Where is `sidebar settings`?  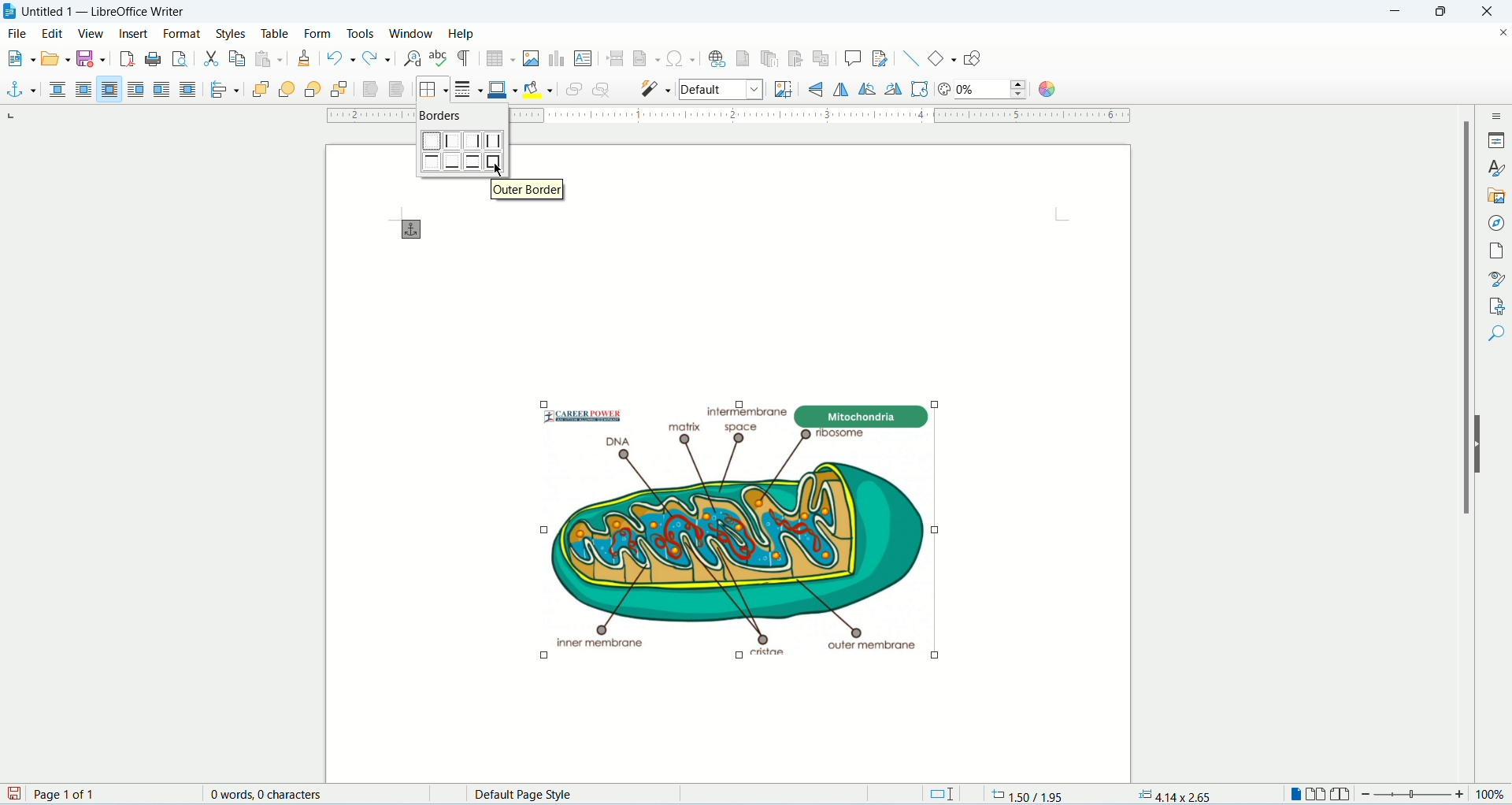
sidebar settings is located at coordinates (1498, 115).